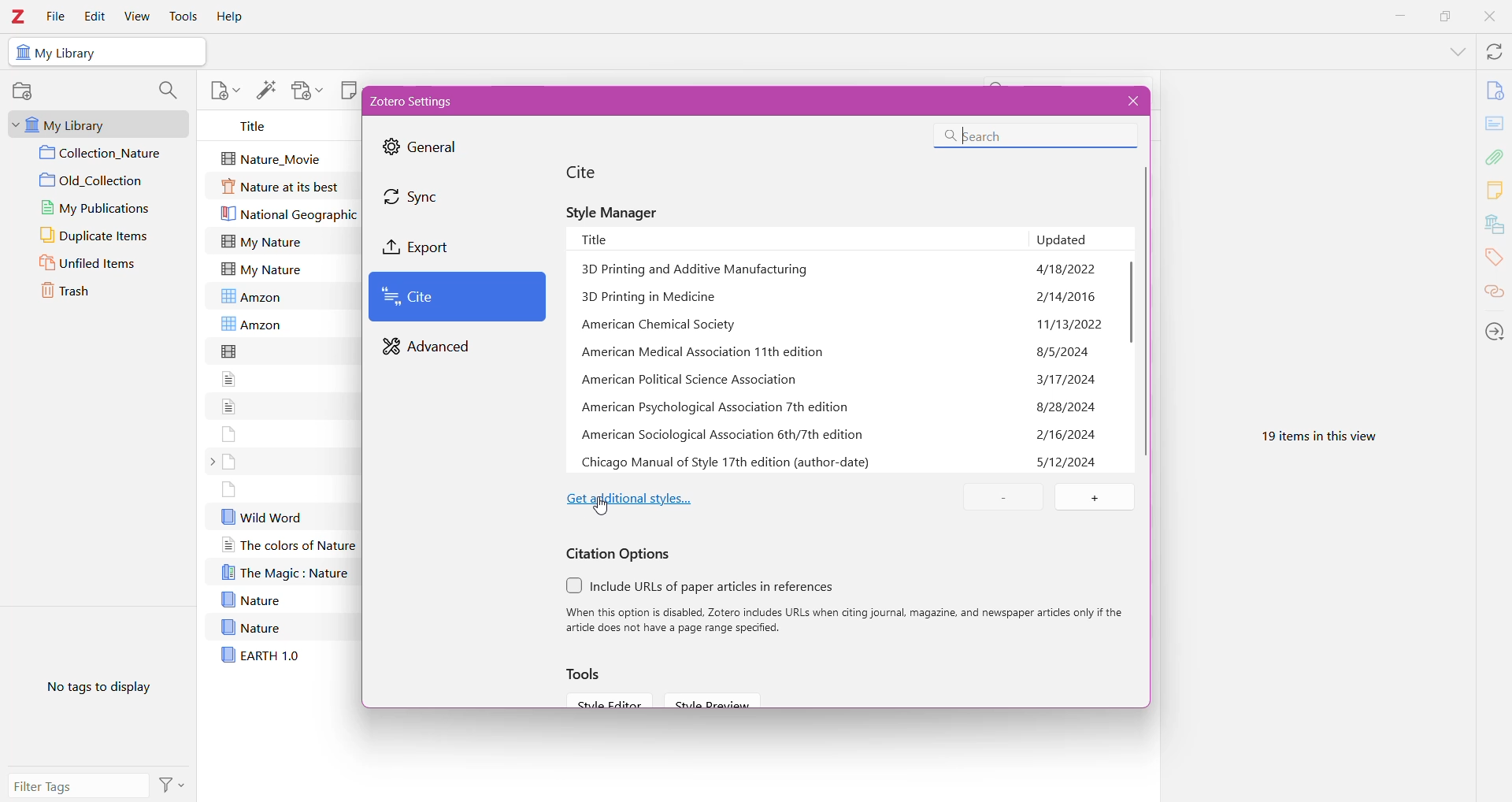  I want to click on Add Attachment, so click(306, 91).